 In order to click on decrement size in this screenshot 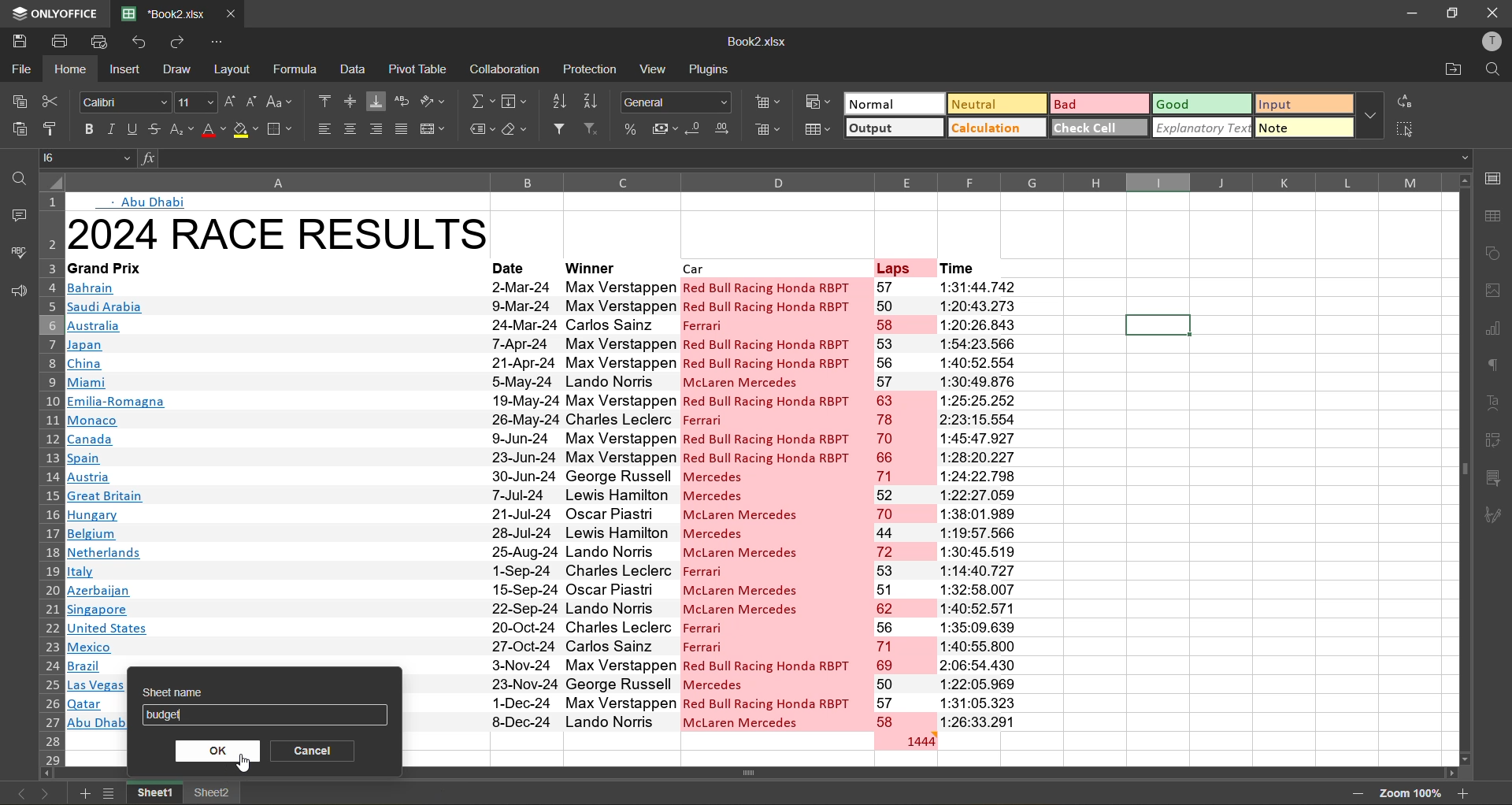, I will do `click(254, 105)`.